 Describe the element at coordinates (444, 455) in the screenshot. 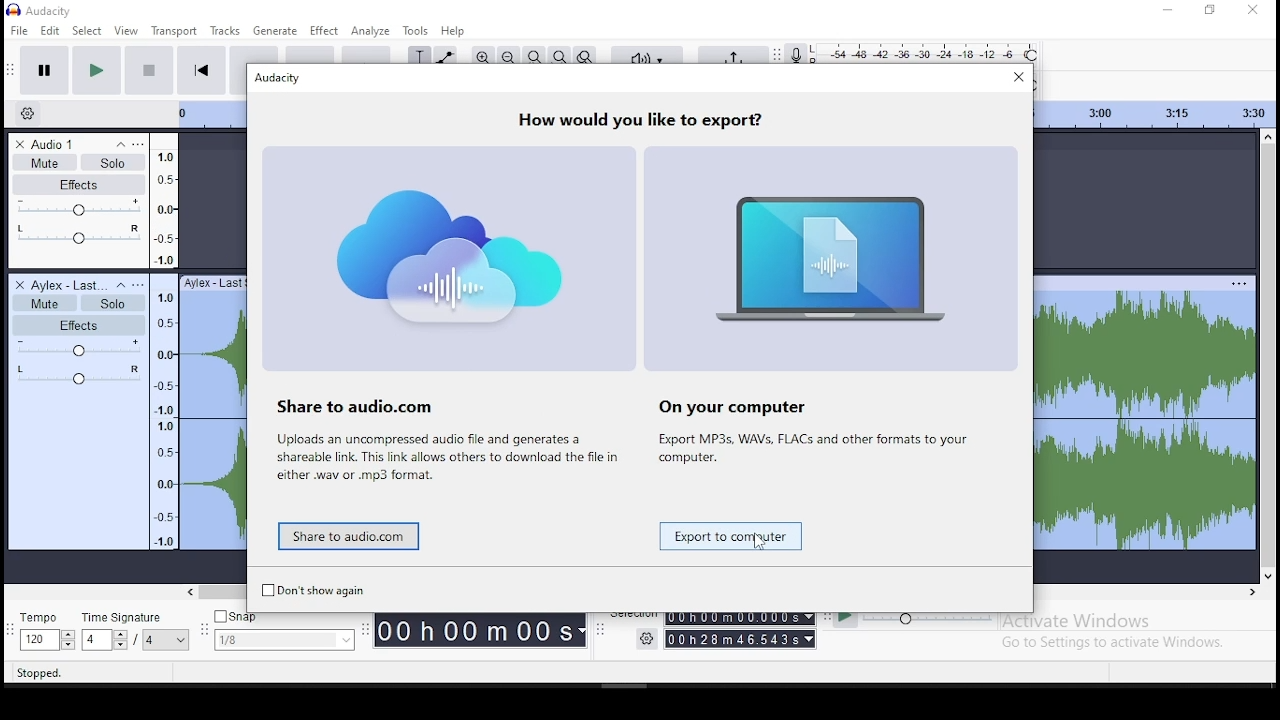

I see `text` at that location.